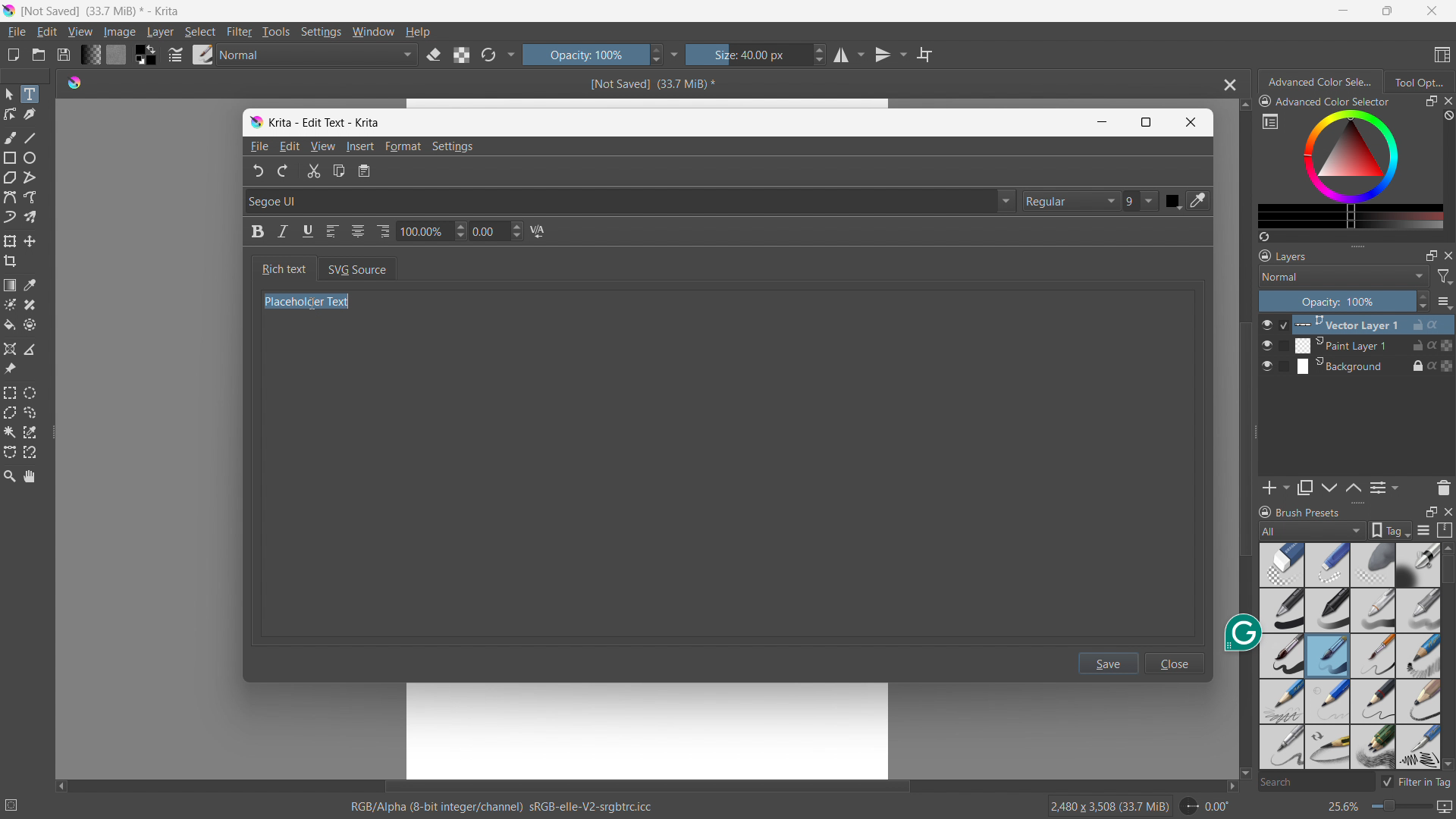 Image resolution: width=1456 pixels, height=819 pixels. I want to click on Italic, so click(283, 232).